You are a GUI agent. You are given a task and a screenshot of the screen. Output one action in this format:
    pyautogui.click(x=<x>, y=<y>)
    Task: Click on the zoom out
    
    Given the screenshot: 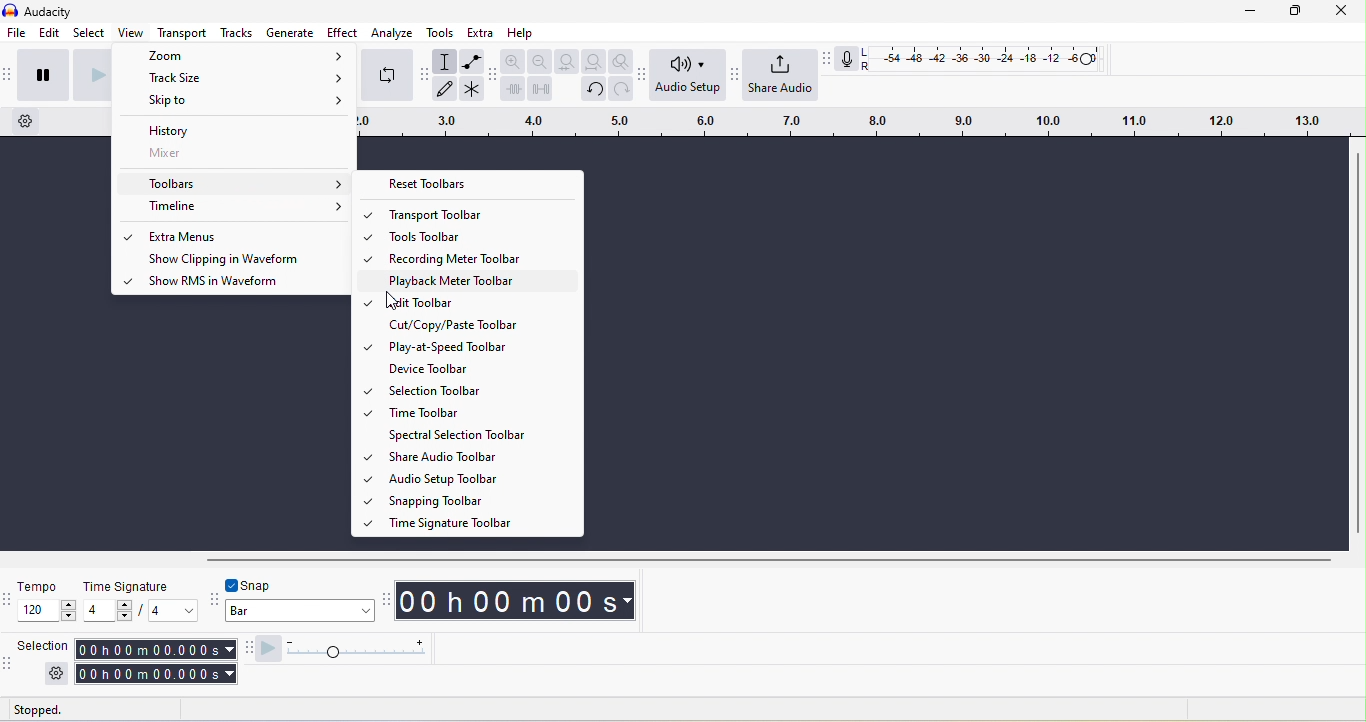 What is the action you would take?
    pyautogui.click(x=540, y=61)
    